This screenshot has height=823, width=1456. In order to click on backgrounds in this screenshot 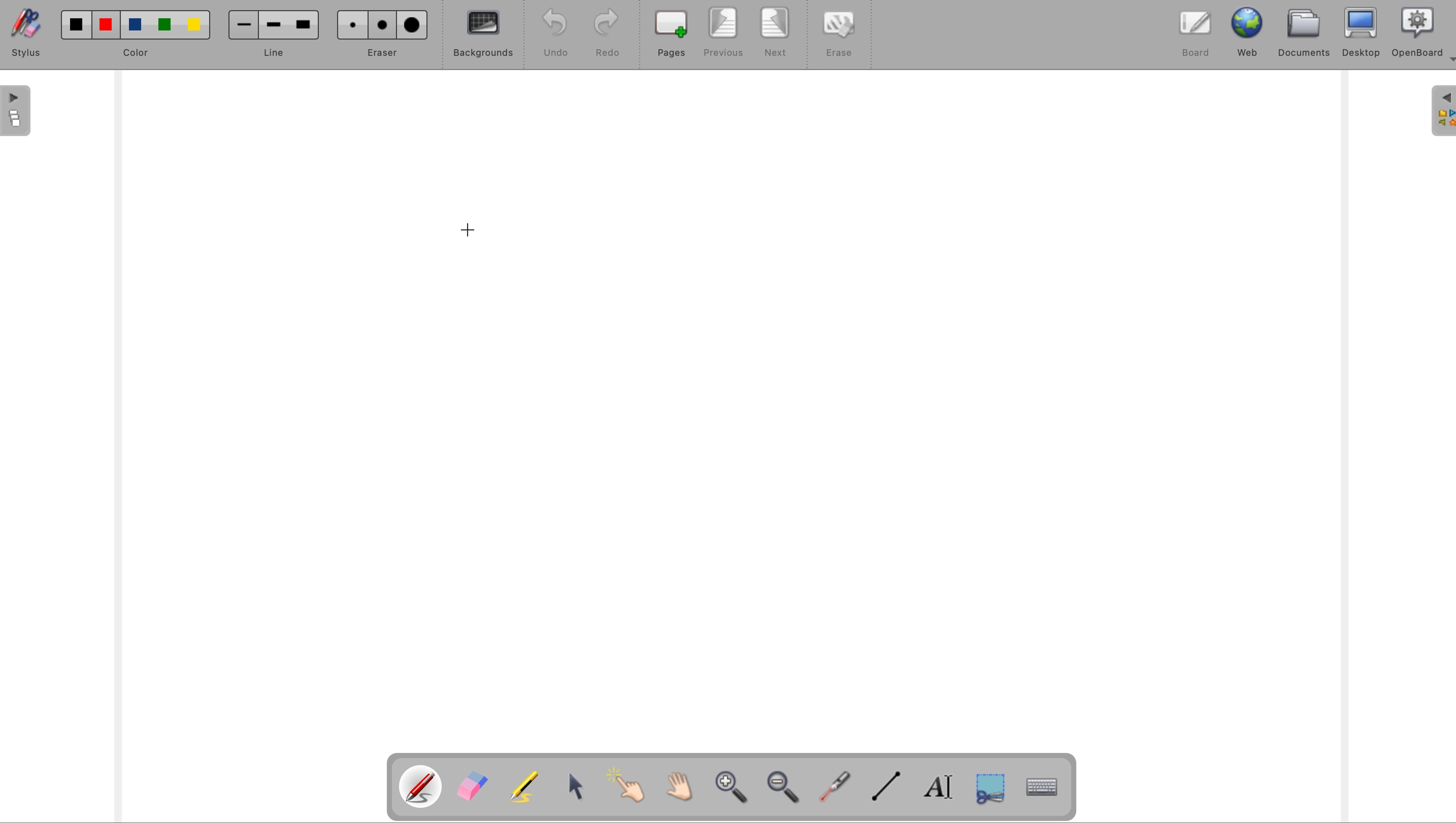, I will do `click(483, 37)`.